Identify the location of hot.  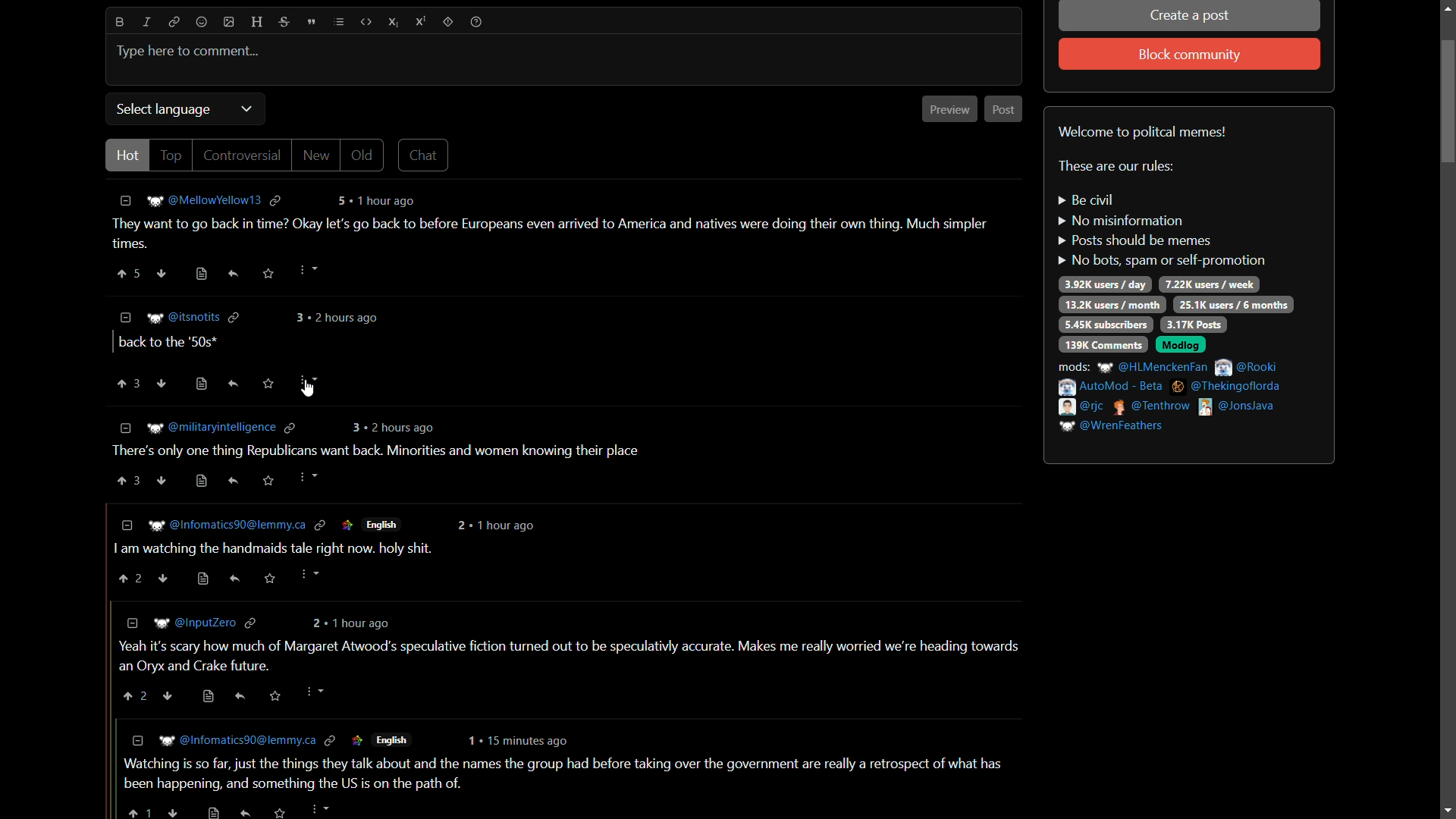
(128, 155).